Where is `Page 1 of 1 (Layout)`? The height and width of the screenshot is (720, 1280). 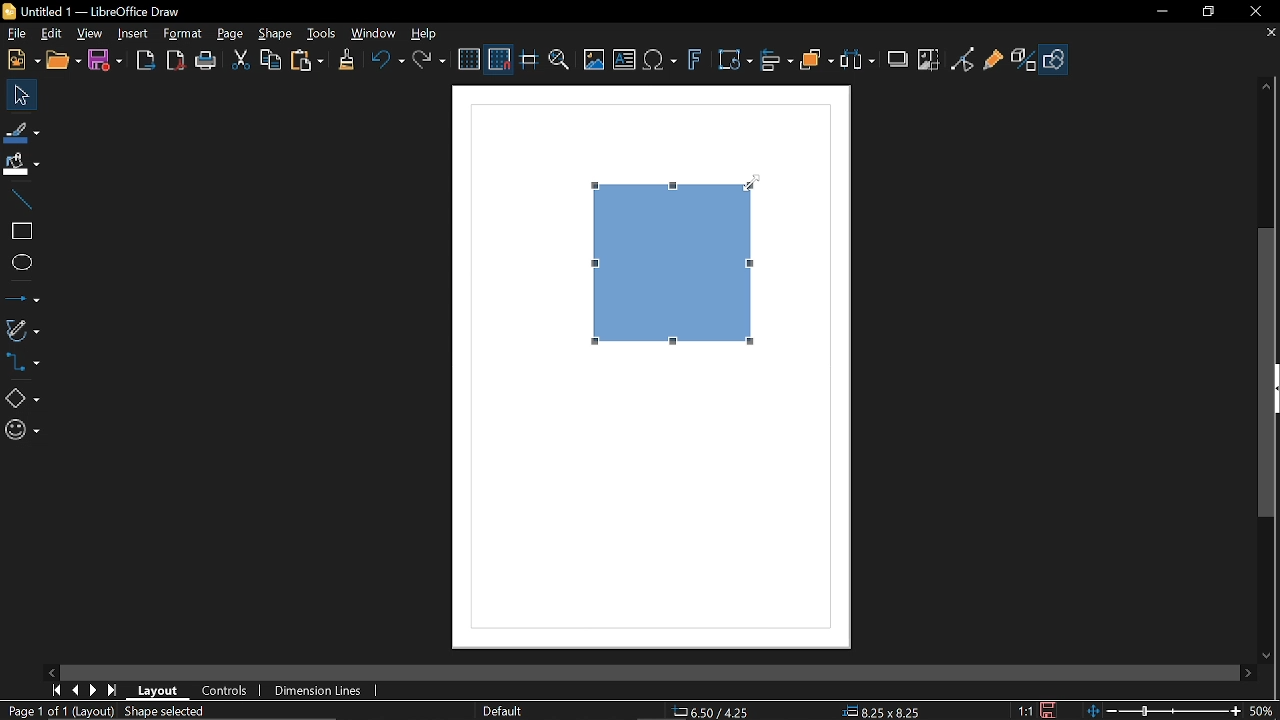
Page 1 of 1 (Layout) is located at coordinates (58, 712).